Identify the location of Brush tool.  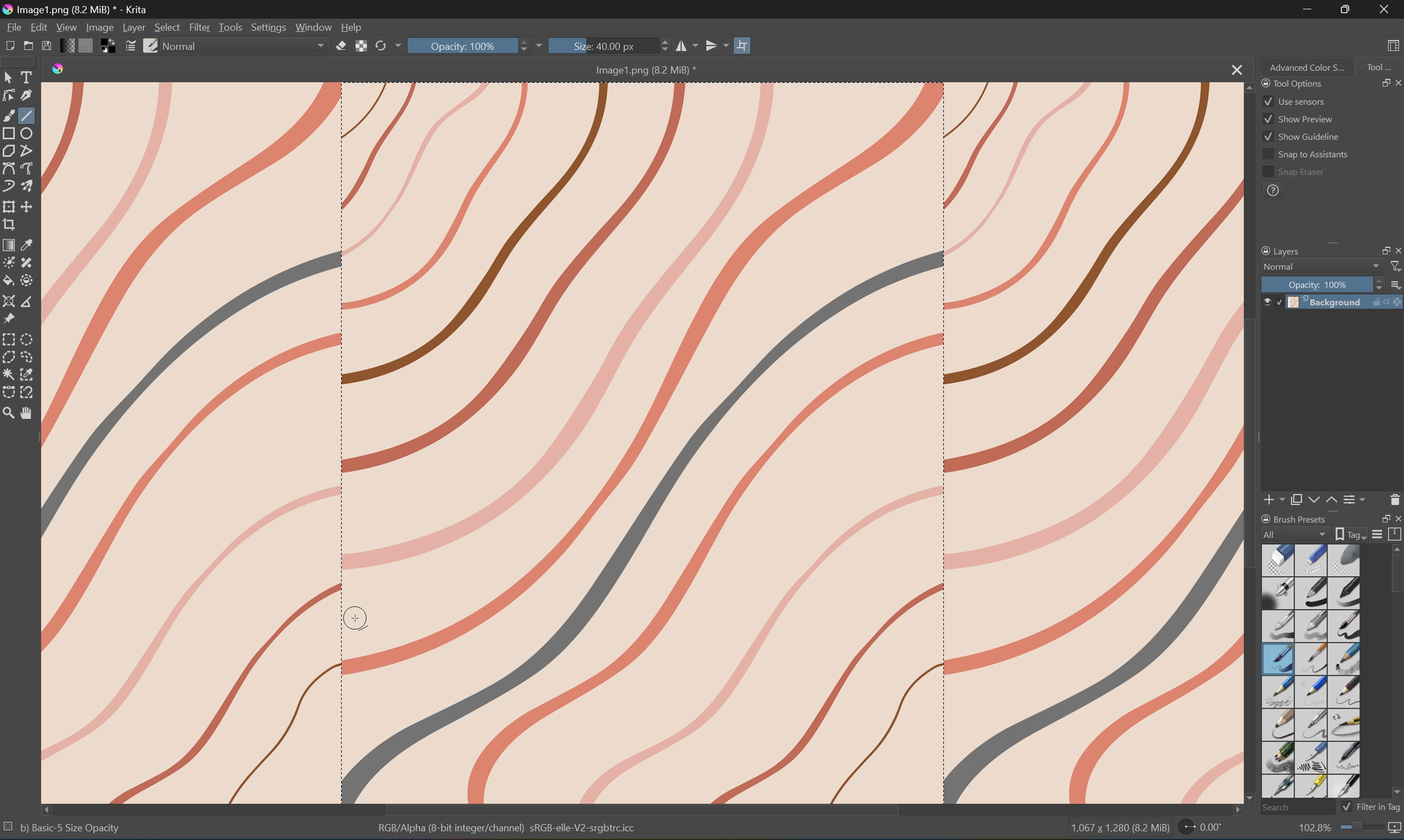
(9, 114).